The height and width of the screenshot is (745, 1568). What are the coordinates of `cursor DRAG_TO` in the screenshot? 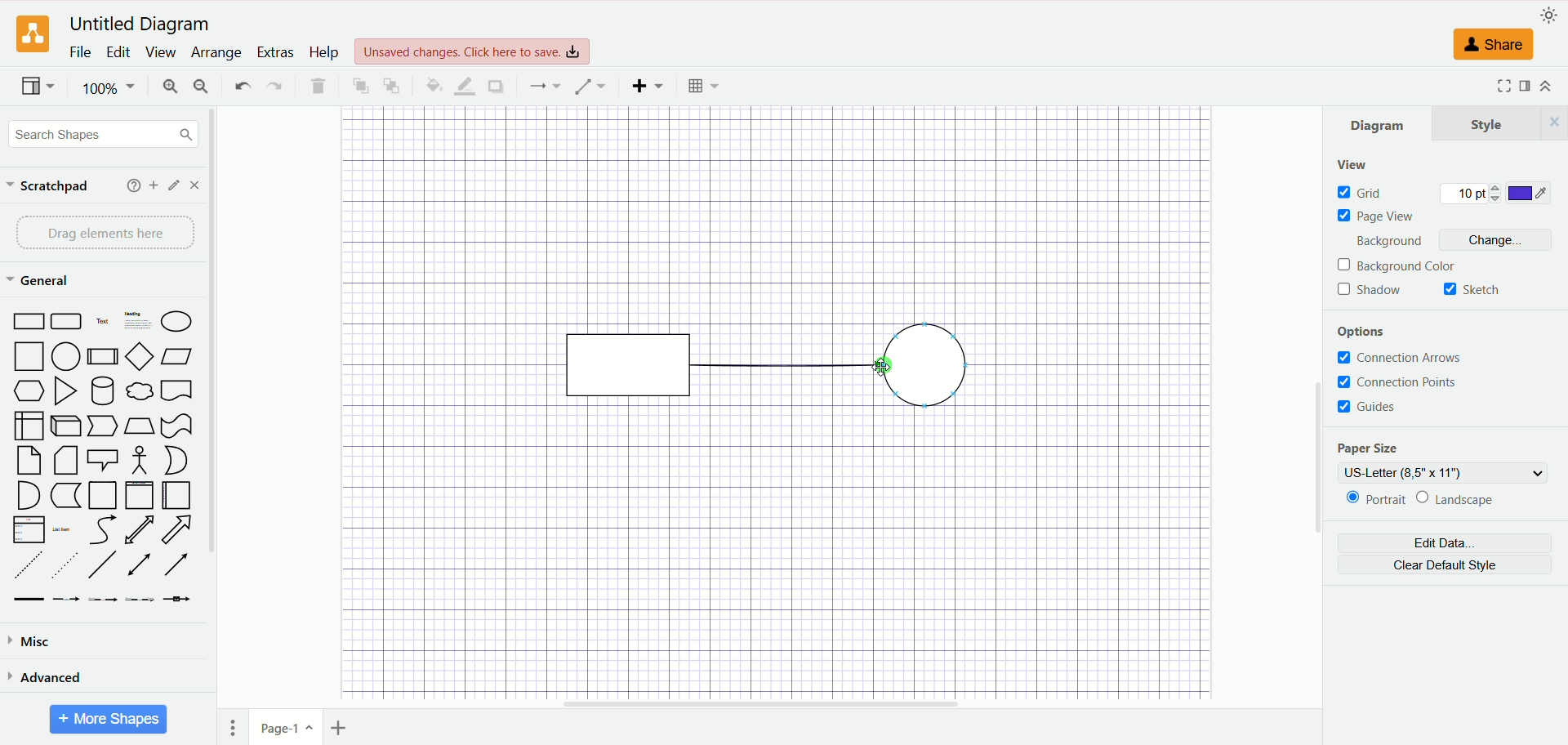 It's located at (886, 367).